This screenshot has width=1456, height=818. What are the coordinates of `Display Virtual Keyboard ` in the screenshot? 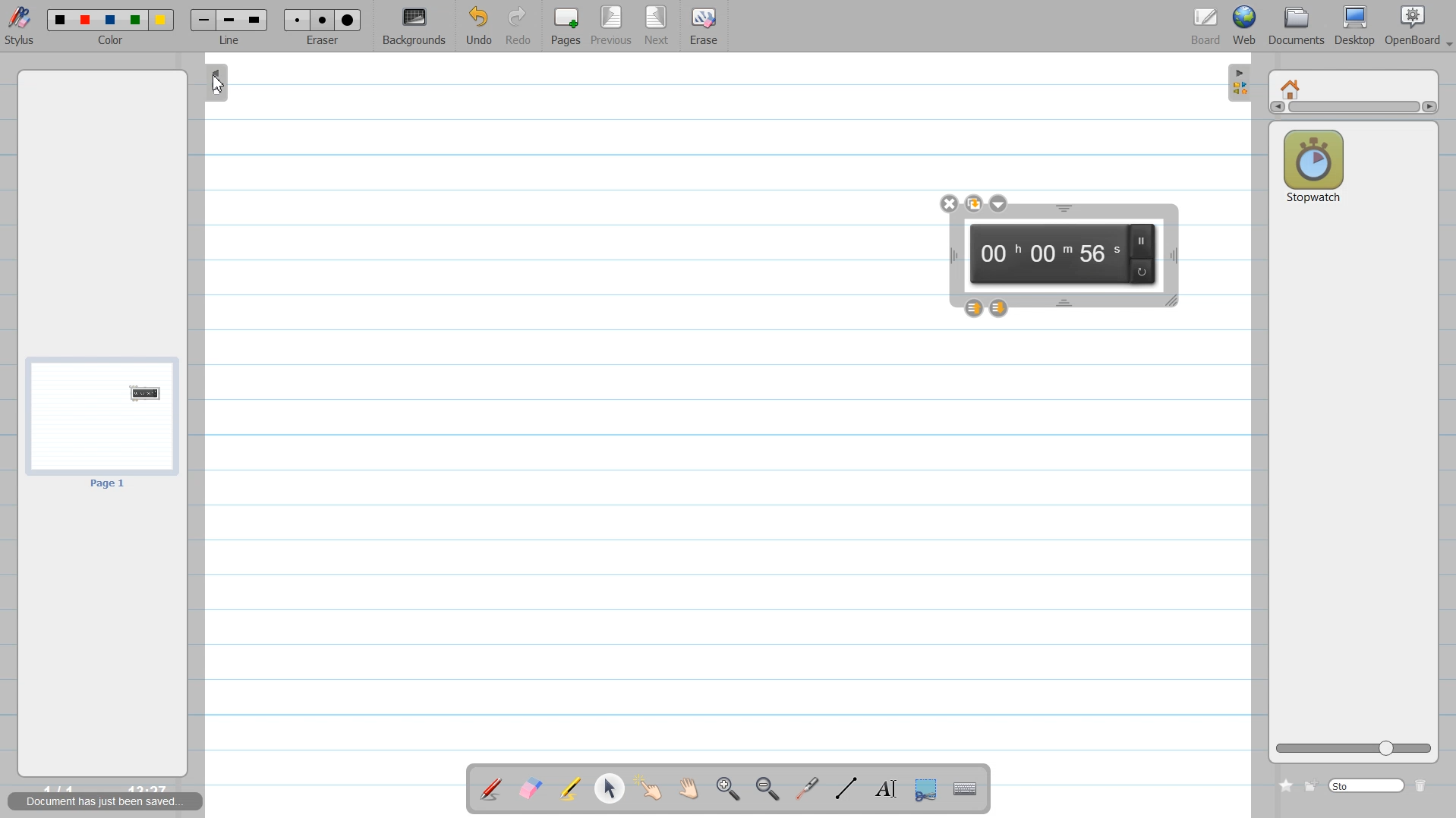 It's located at (967, 789).